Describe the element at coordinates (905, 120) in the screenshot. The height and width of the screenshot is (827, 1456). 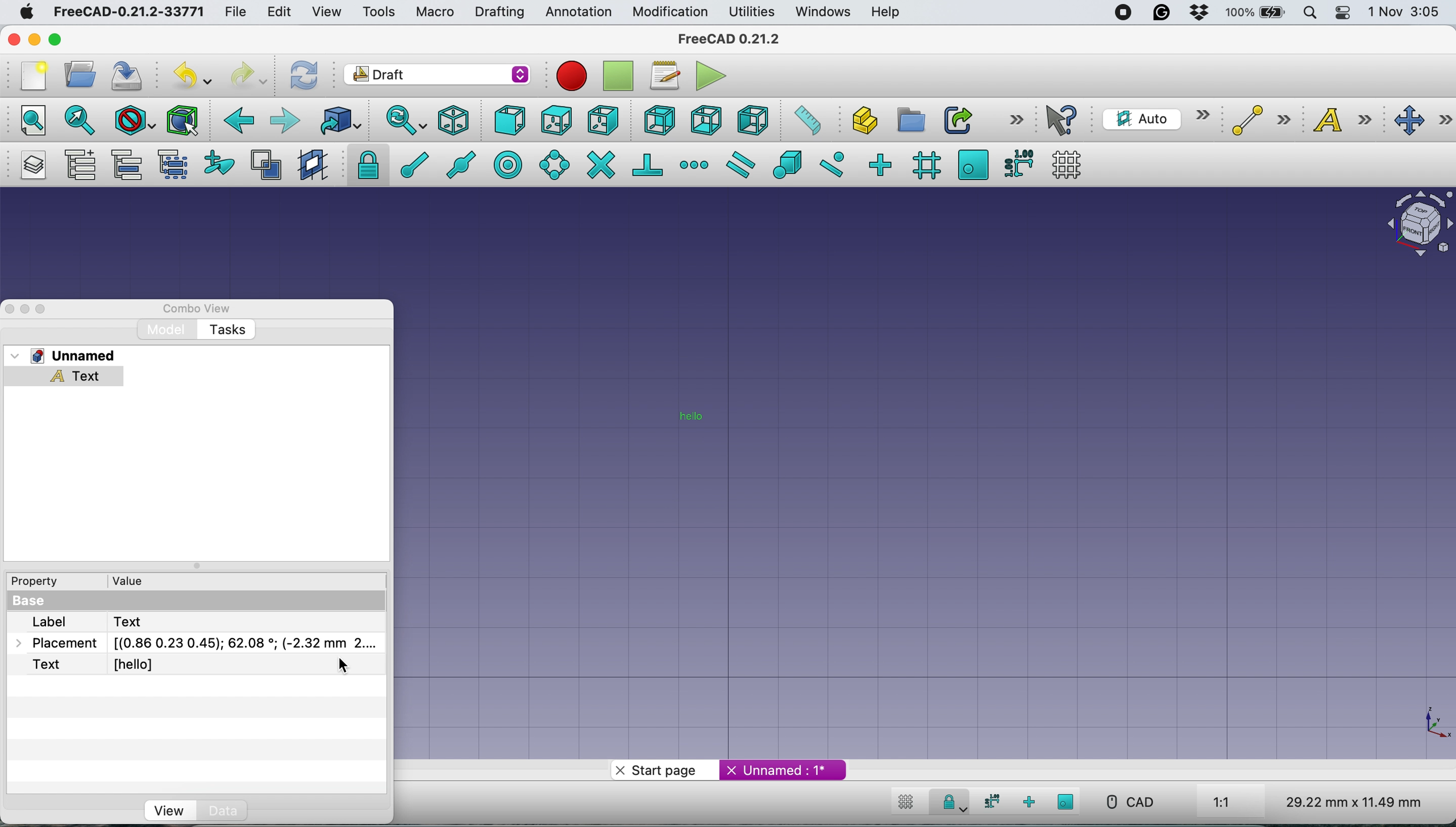
I see `create part` at that location.